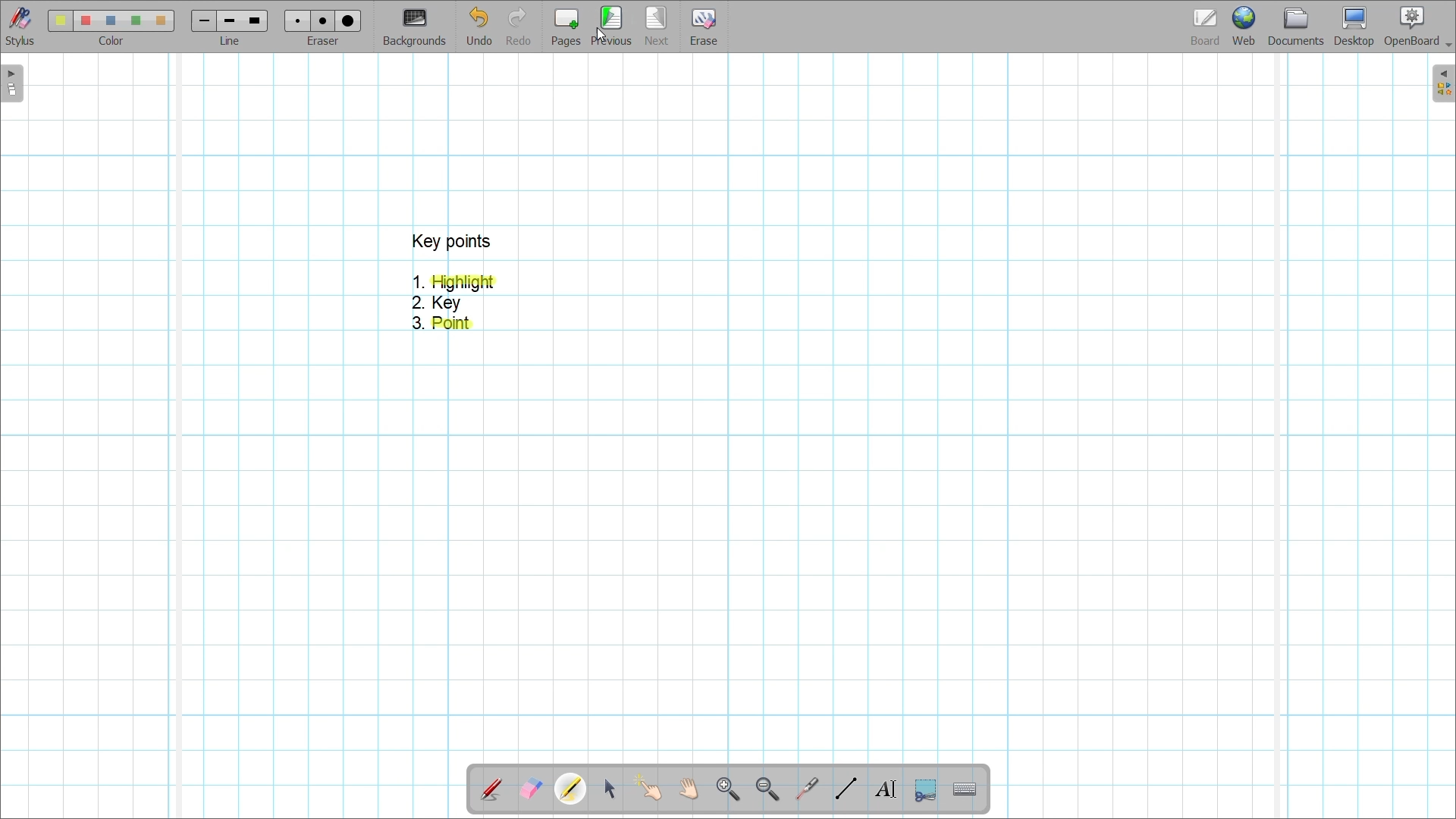 The image size is (1456, 819). Describe the element at coordinates (1443, 83) in the screenshot. I see `Right sidebar` at that location.